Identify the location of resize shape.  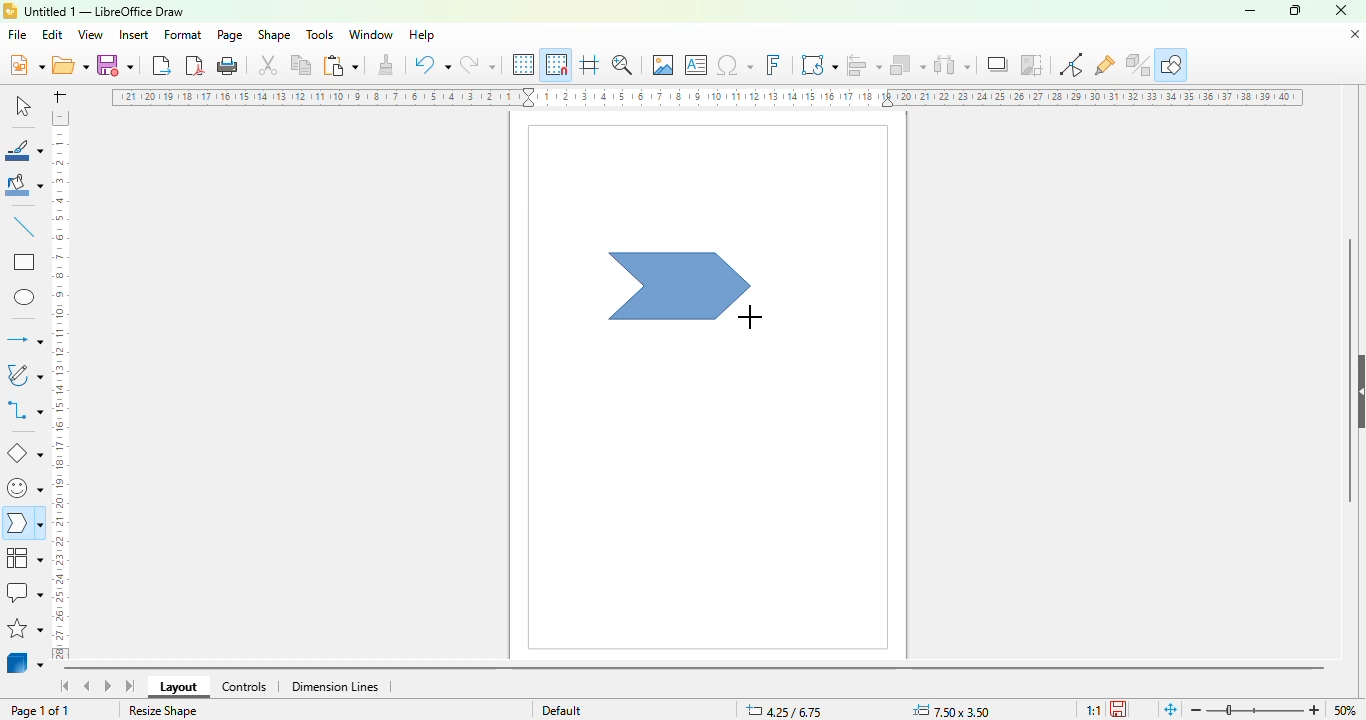
(163, 710).